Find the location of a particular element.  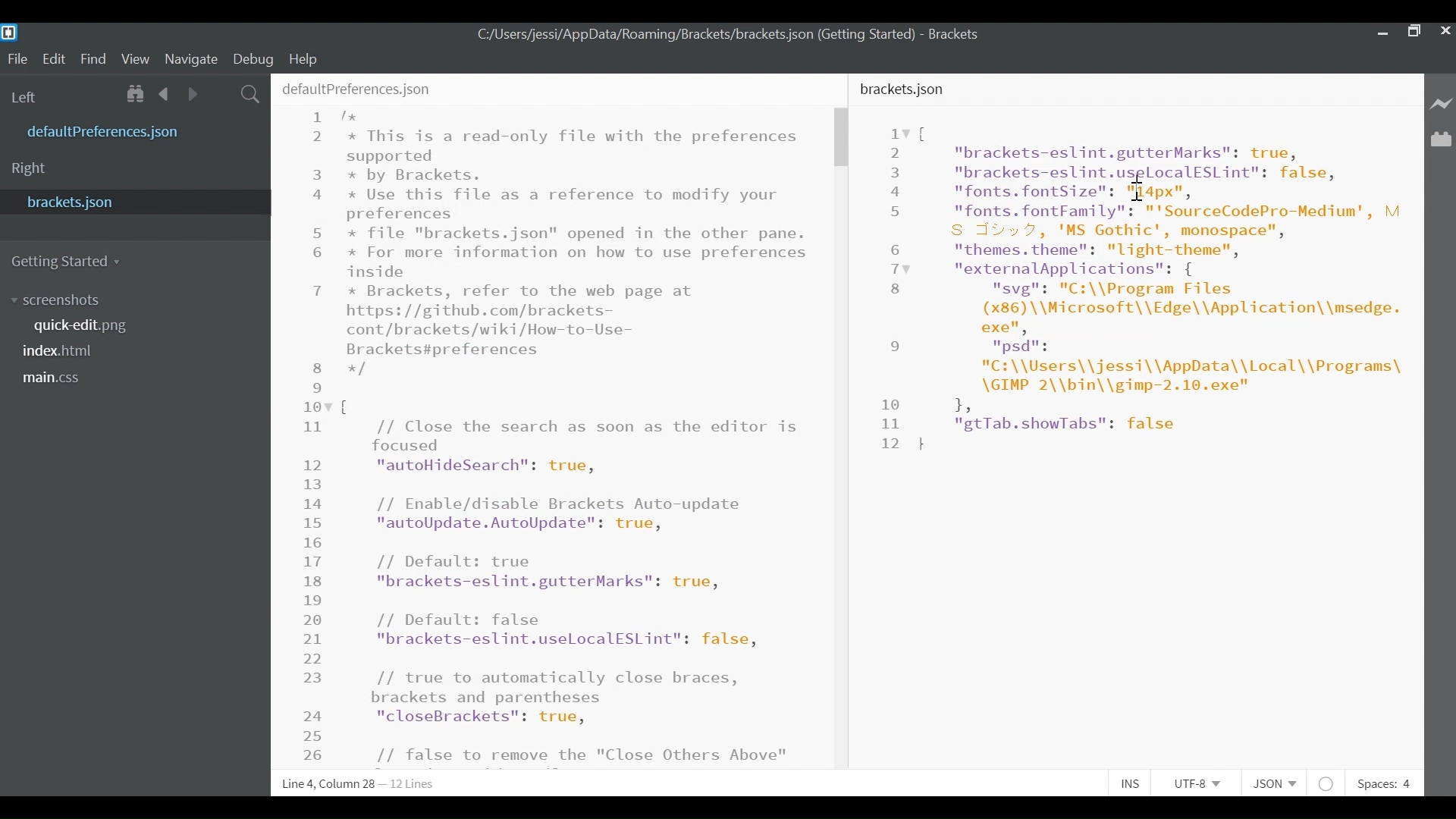

screenshot is located at coordinates (64, 299).